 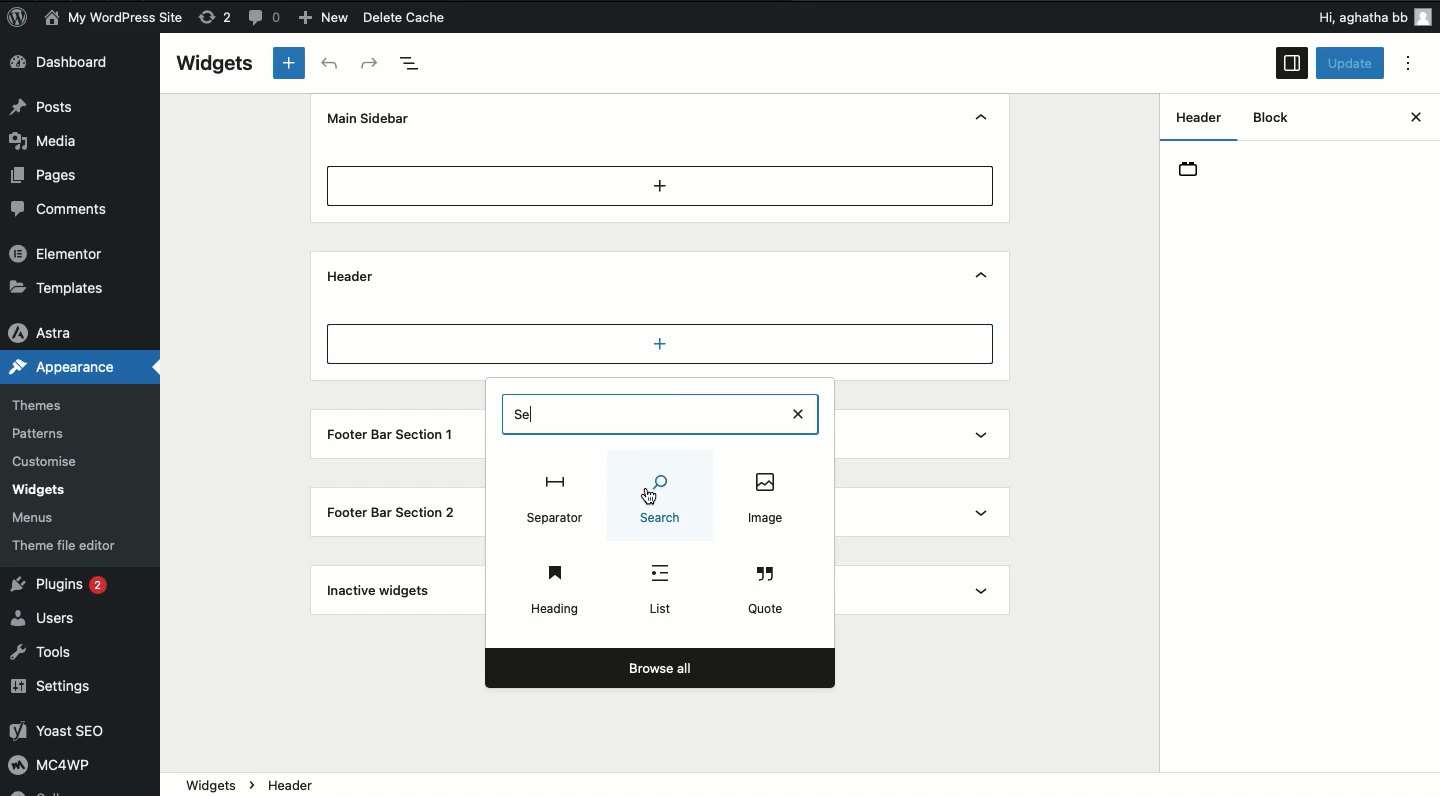 What do you see at coordinates (48, 400) in the screenshot?
I see `Themes` at bounding box center [48, 400].